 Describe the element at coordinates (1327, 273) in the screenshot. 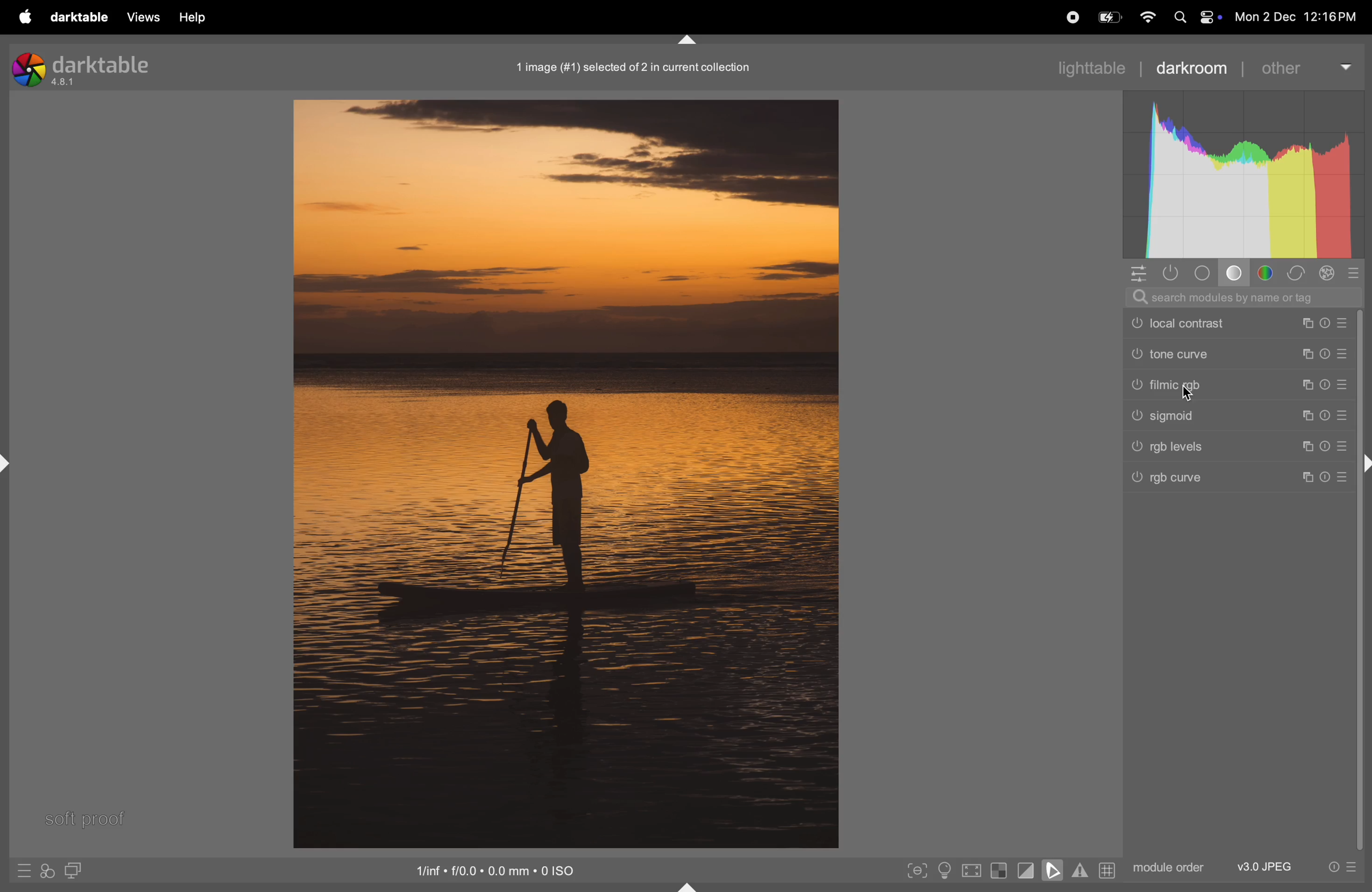

I see `effect` at that location.